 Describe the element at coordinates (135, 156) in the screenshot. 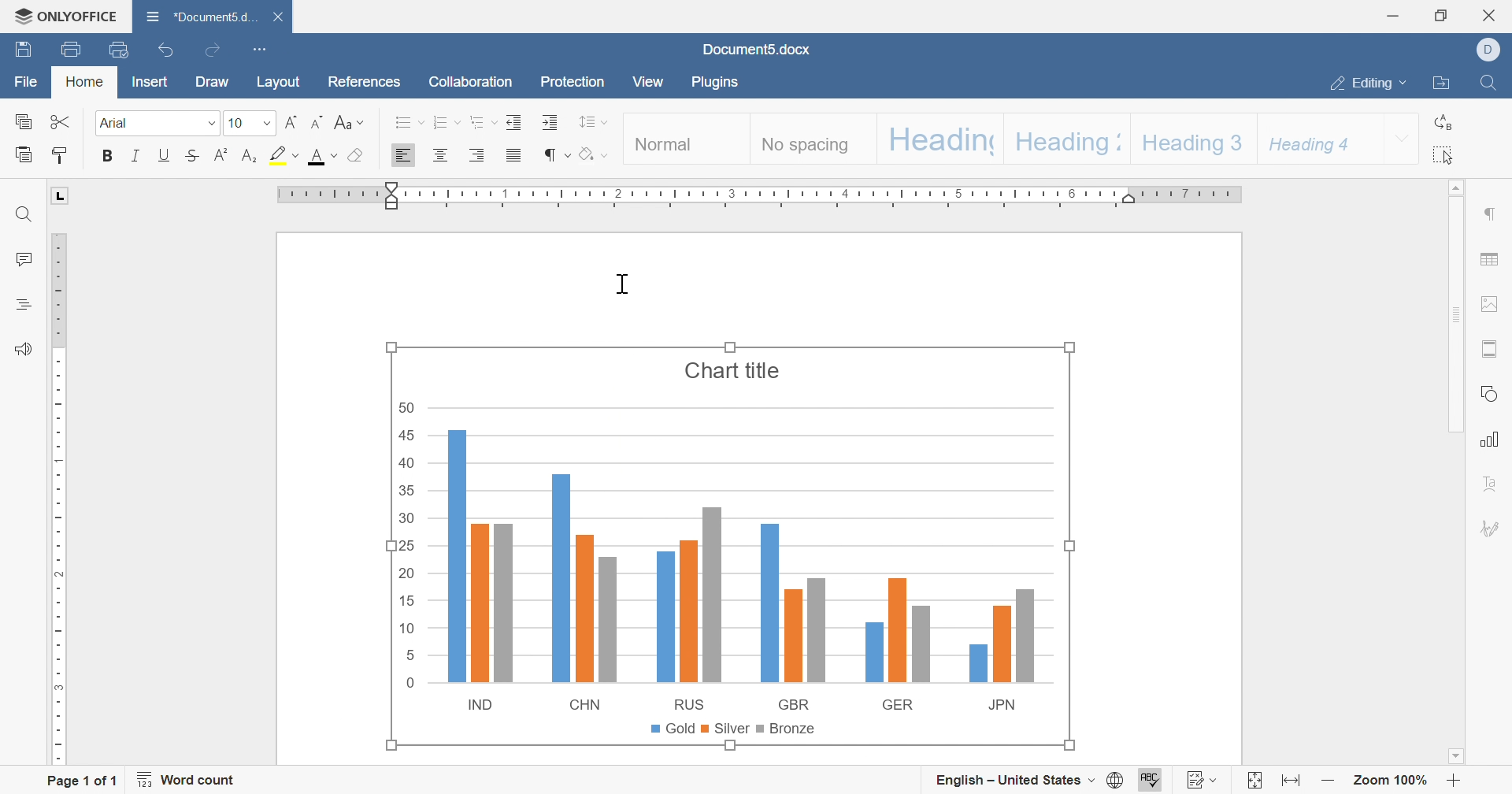

I see `italic` at that location.